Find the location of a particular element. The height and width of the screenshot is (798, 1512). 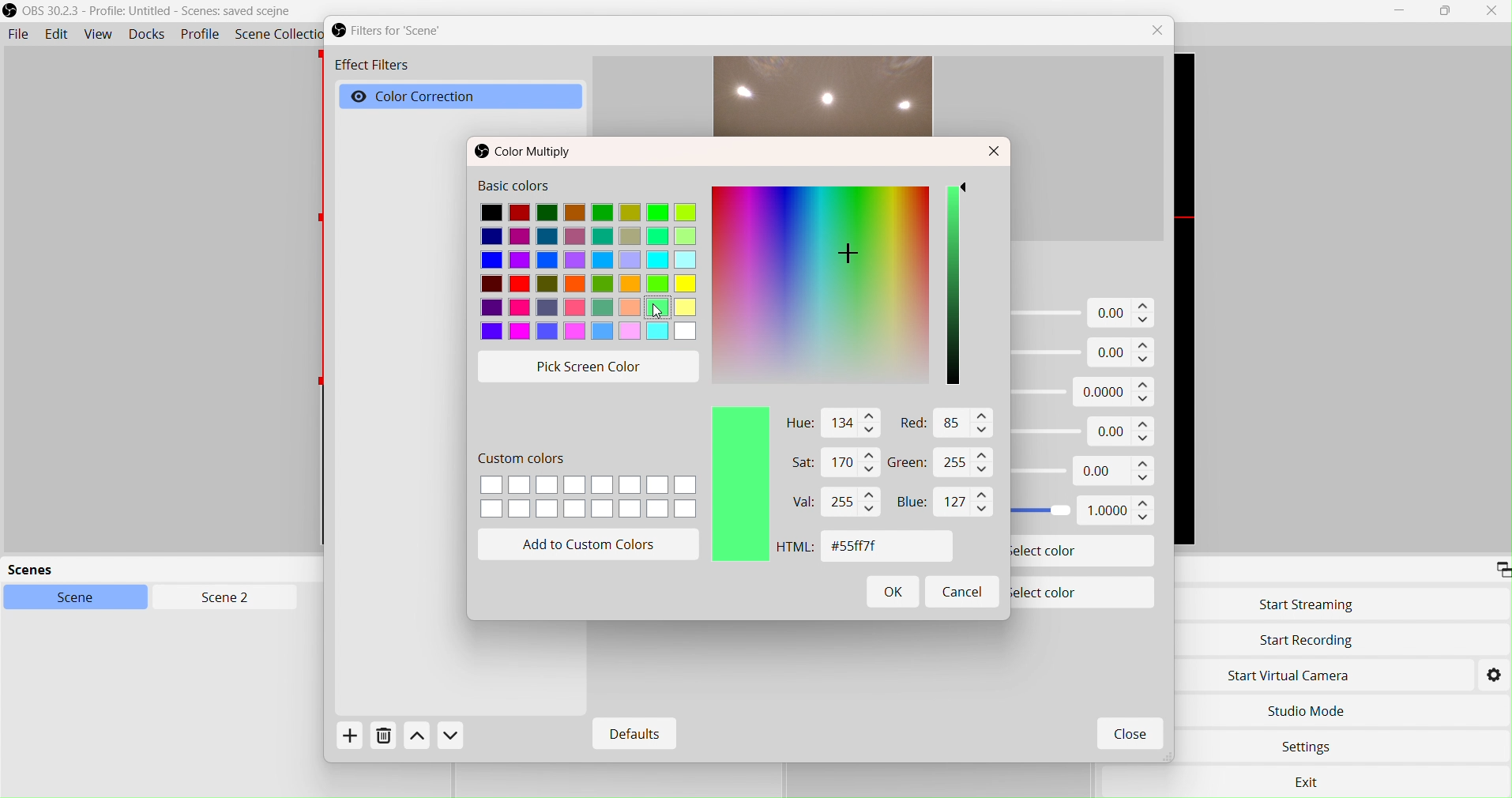

Effect Filters is located at coordinates (371, 67).